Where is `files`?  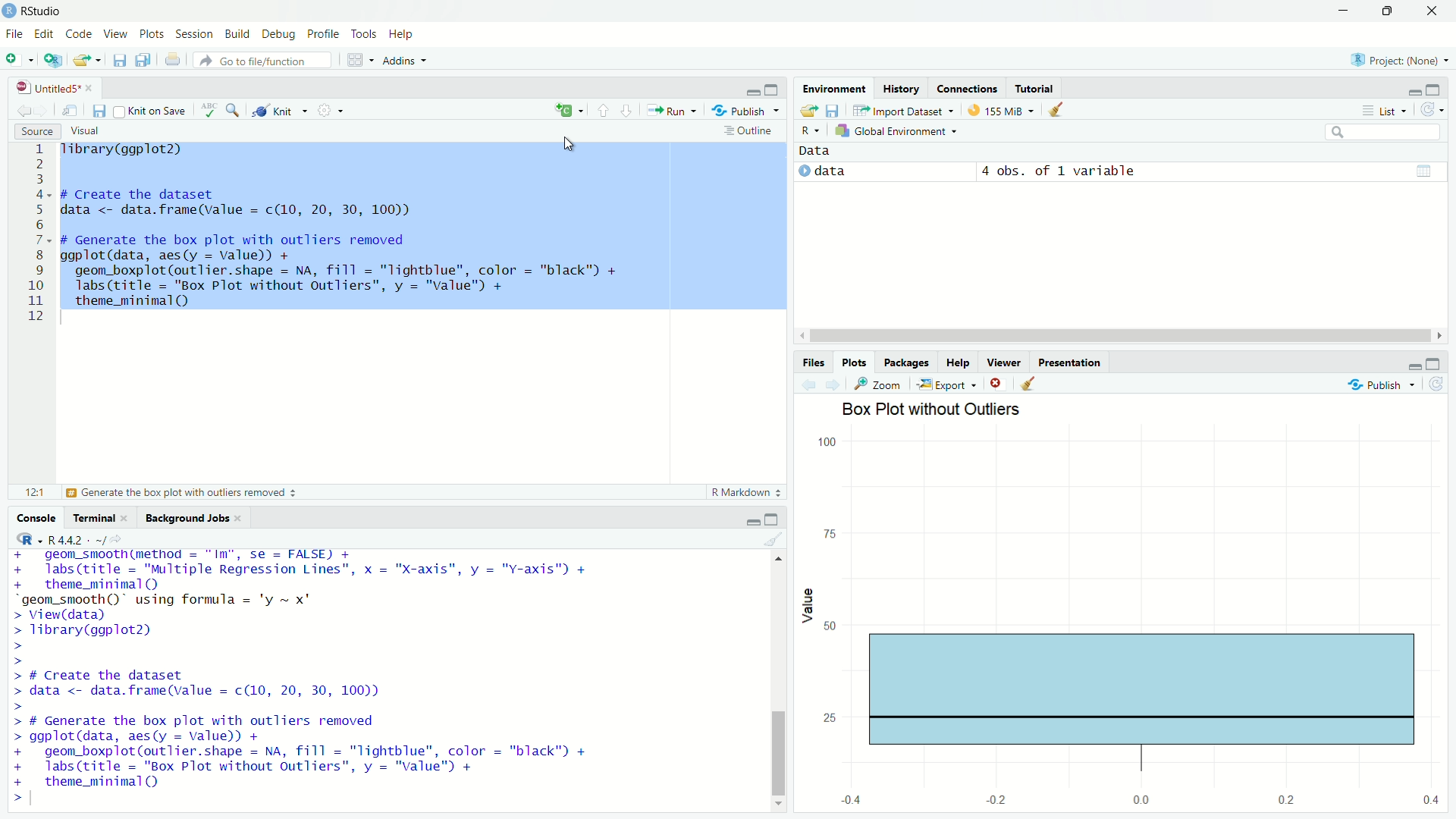
files is located at coordinates (836, 111).